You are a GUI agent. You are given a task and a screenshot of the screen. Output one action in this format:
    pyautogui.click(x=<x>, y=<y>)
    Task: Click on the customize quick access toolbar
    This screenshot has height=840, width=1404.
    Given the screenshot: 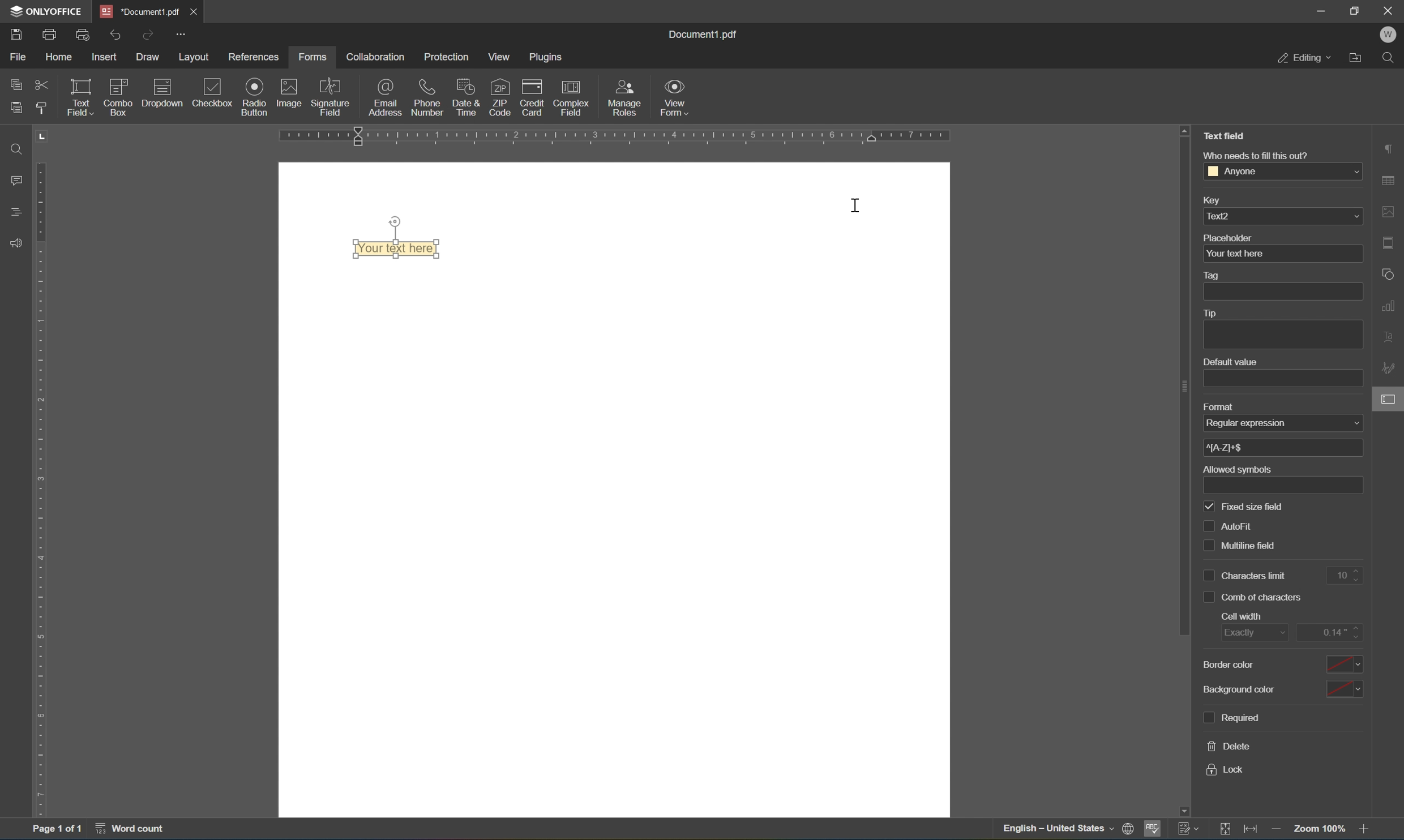 What is the action you would take?
    pyautogui.click(x=182, y=31)
    